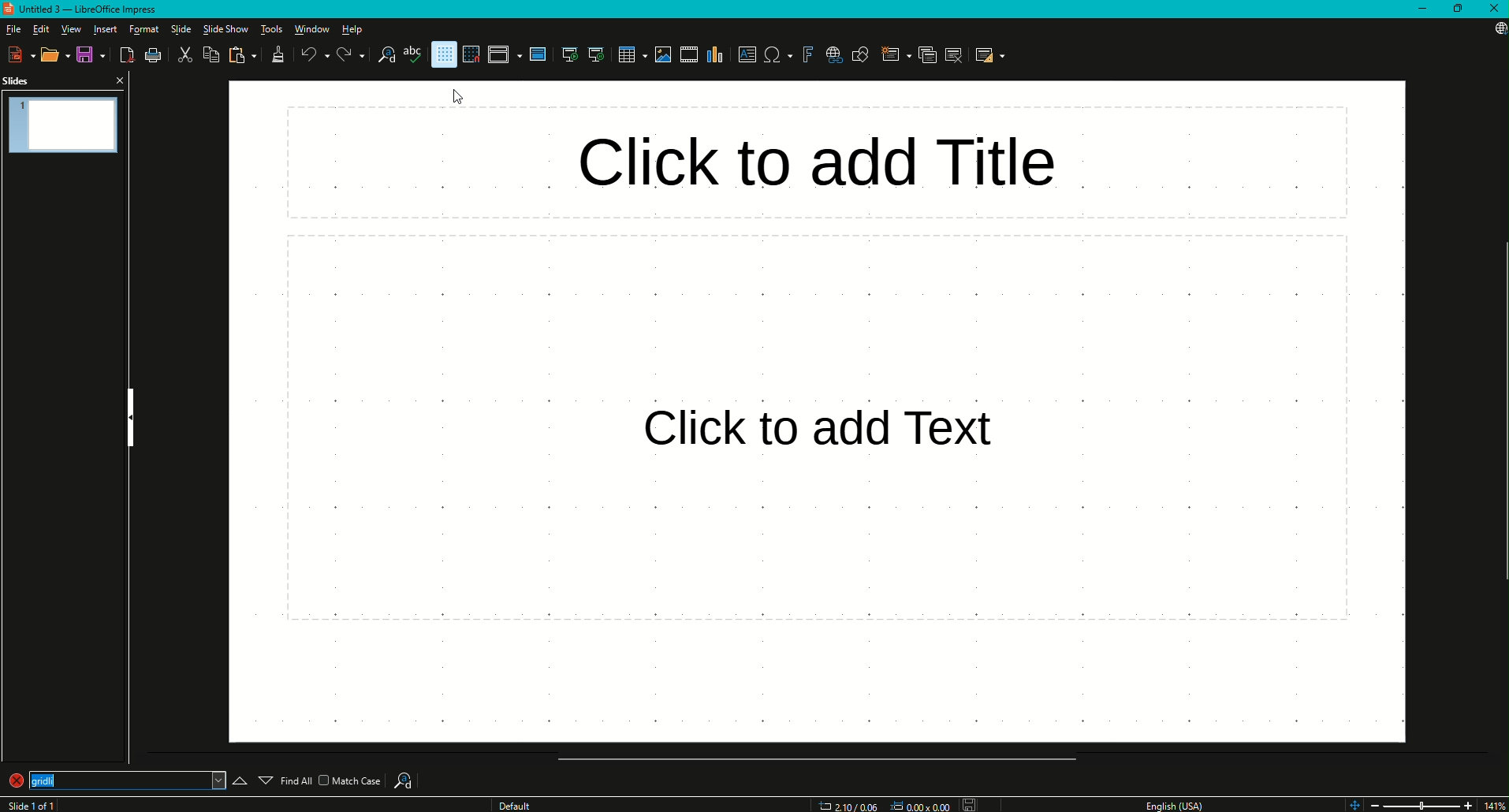 The image size is (1509, 812). I want to click on Help, so click(352, 31).